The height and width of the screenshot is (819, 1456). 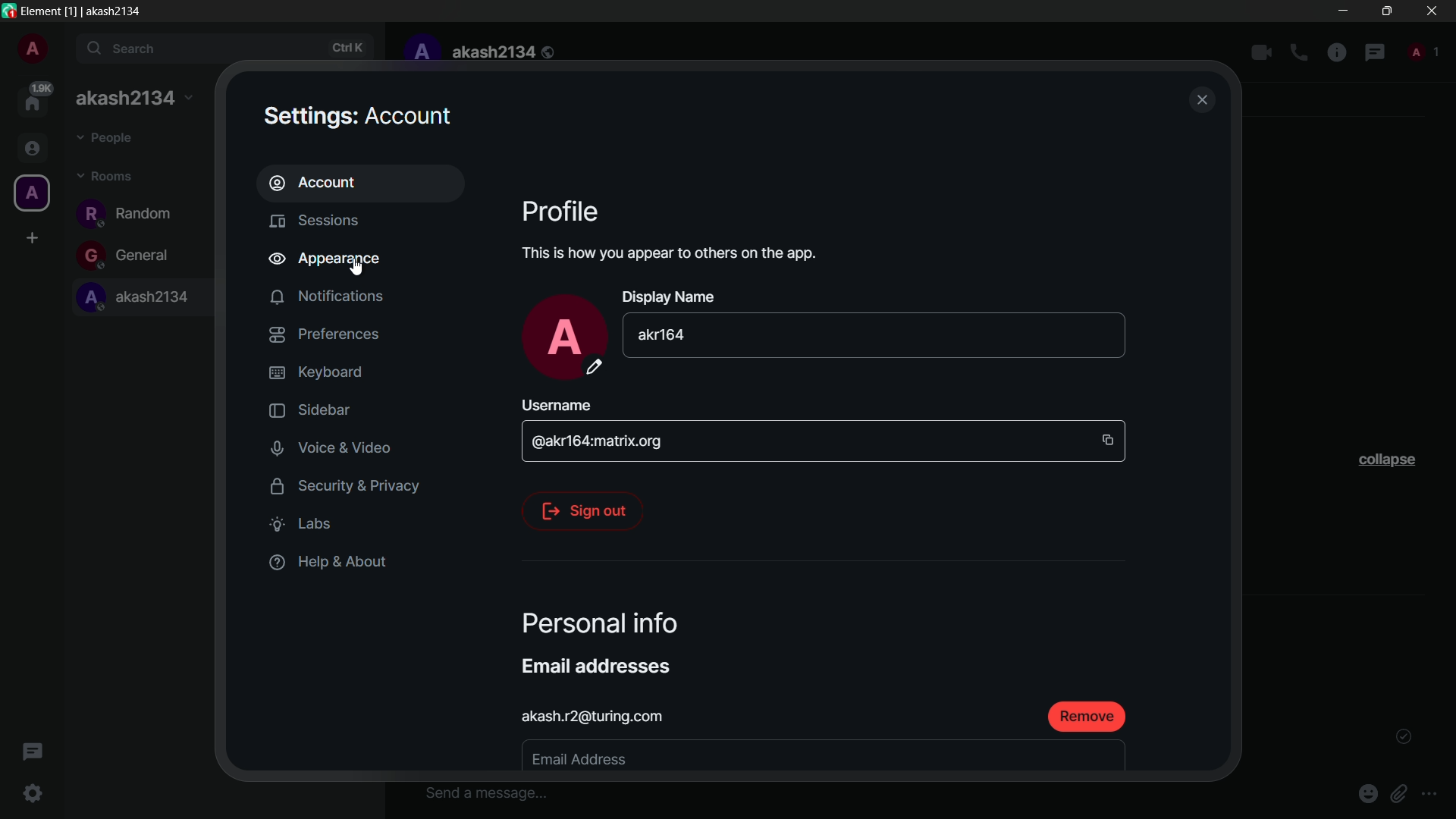 I want to click on close, so click(x=1203, y=99).